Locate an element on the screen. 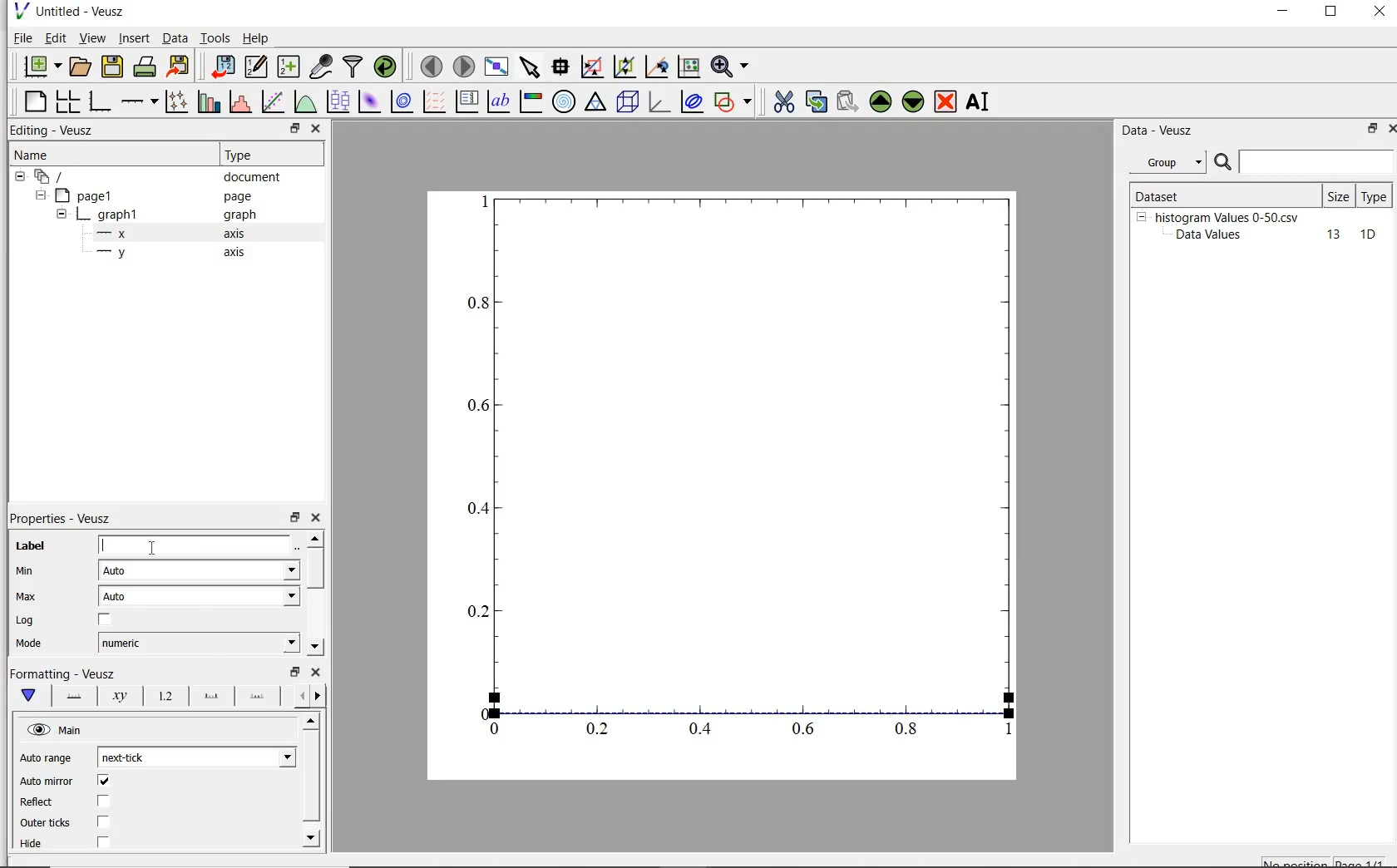 This screenshot has width=1397, height=868. cut the the selected widget is located at coordinates (782, 104).